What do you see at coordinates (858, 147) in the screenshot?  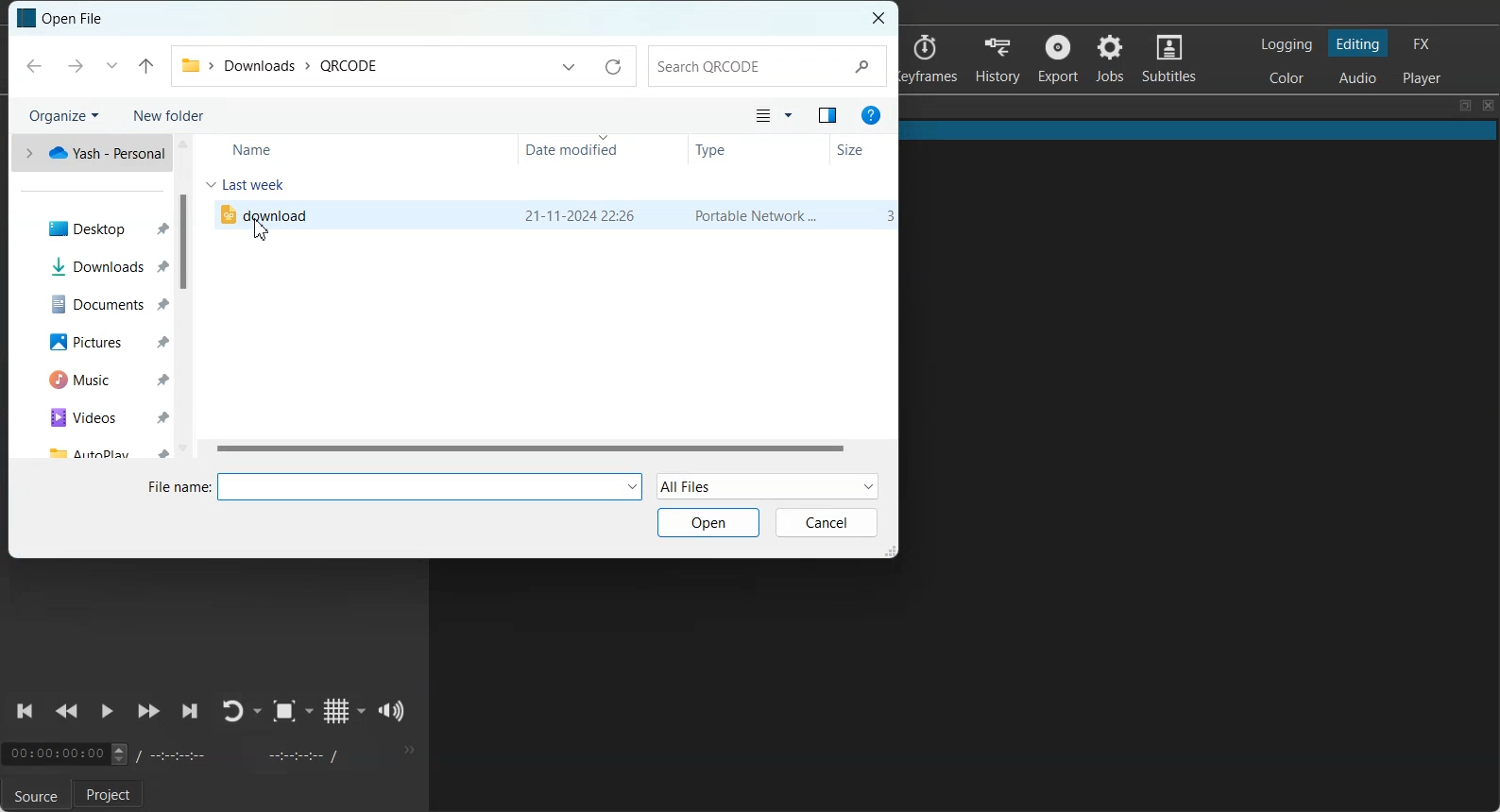 I see `Size` at bounding box center [858, 147].